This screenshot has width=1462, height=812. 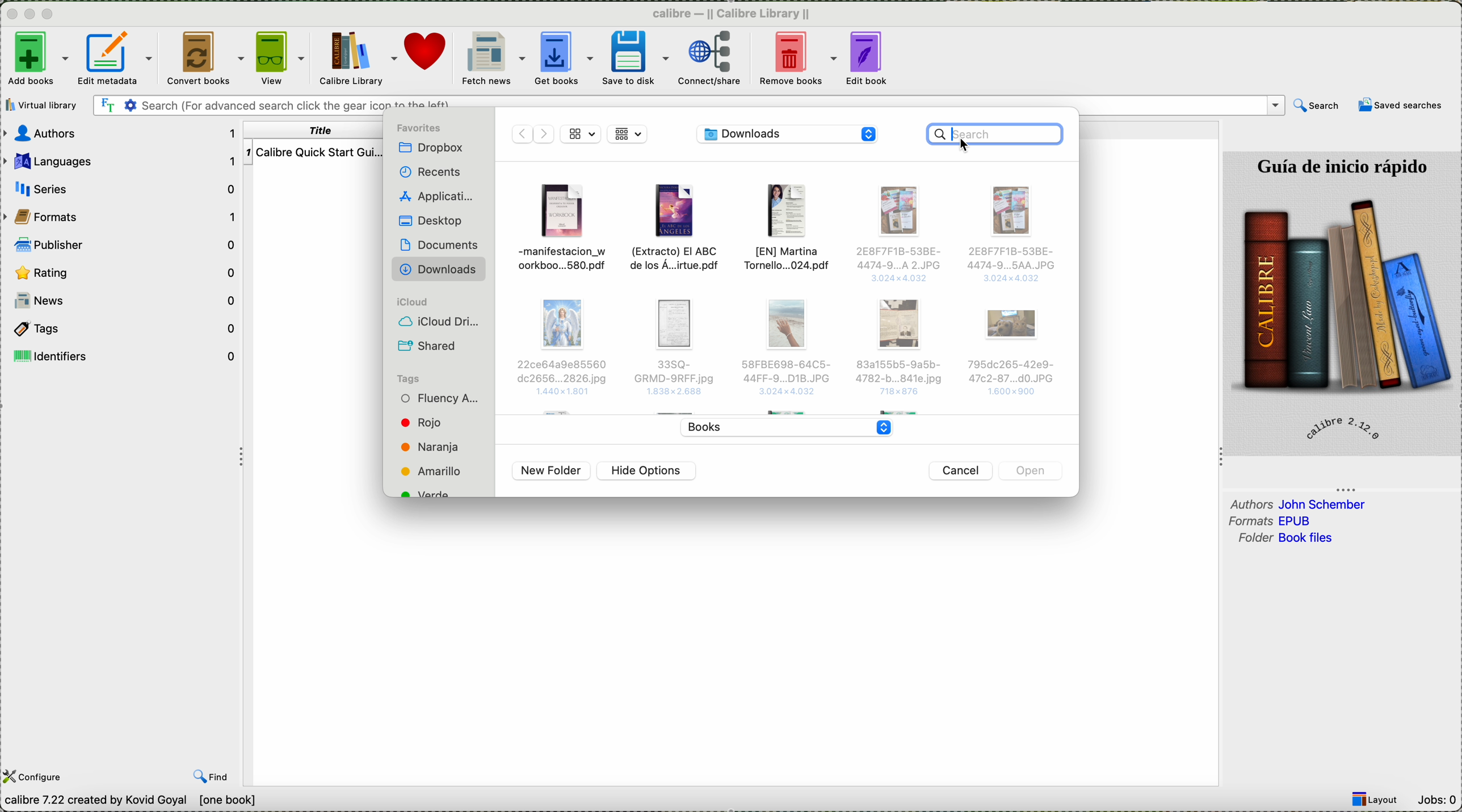 What do you see at coordinates (11, 14) in the screenshot?
I see `close program` at bounding box center [11, 14].